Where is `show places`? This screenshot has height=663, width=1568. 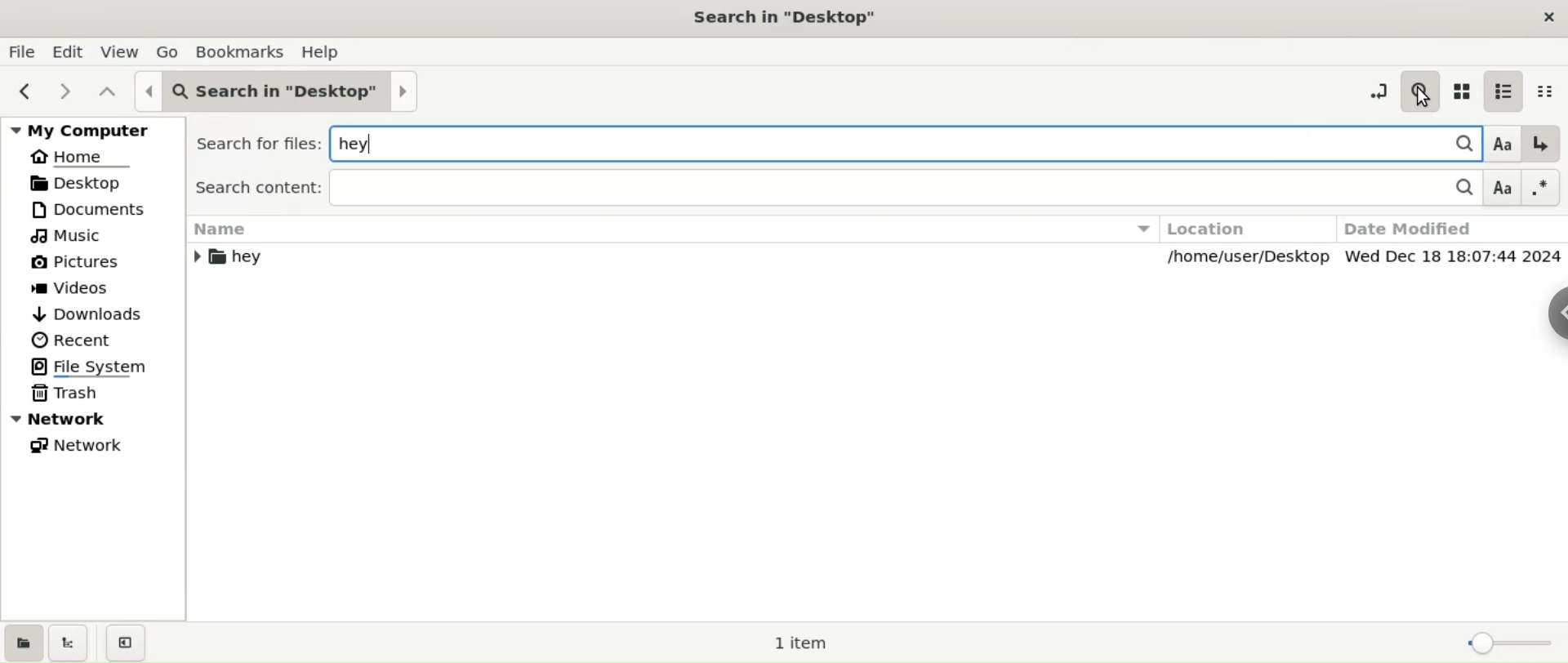
show places is located at coordinates (23, 642).